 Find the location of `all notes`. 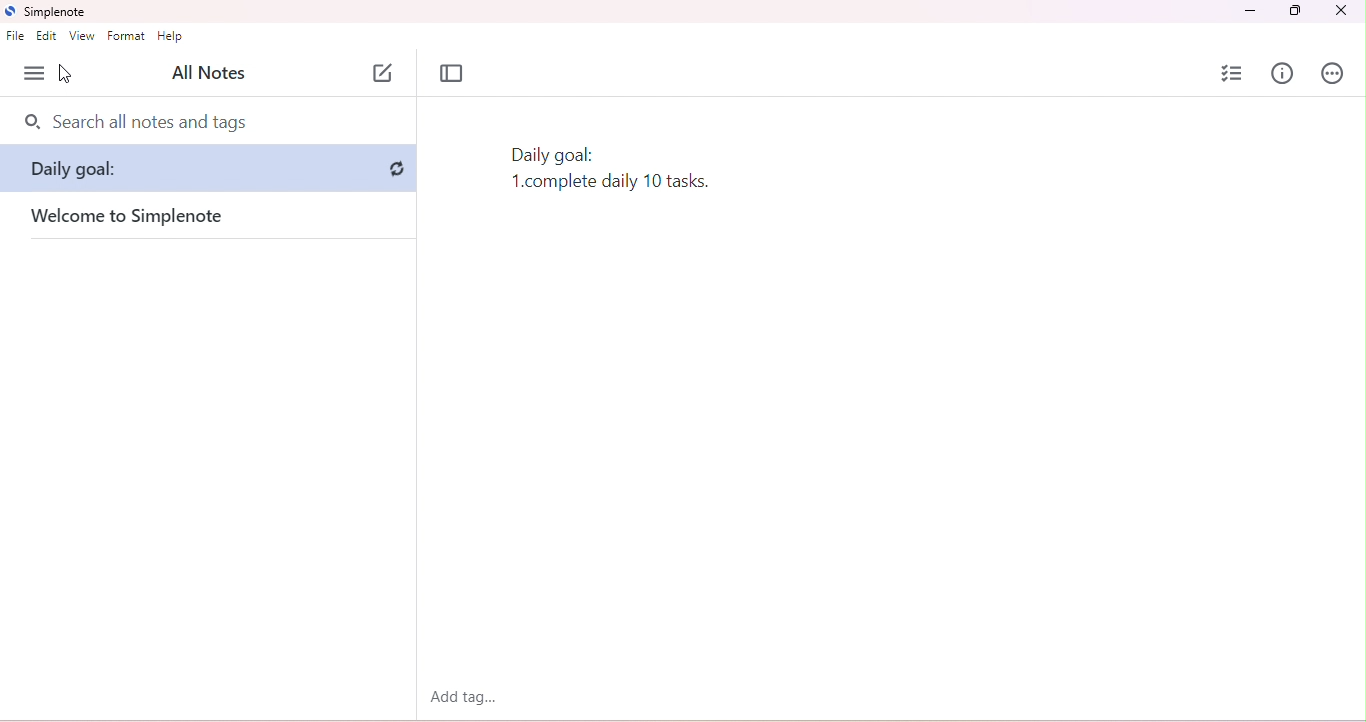

all notes is located at coordinates (209, 71).